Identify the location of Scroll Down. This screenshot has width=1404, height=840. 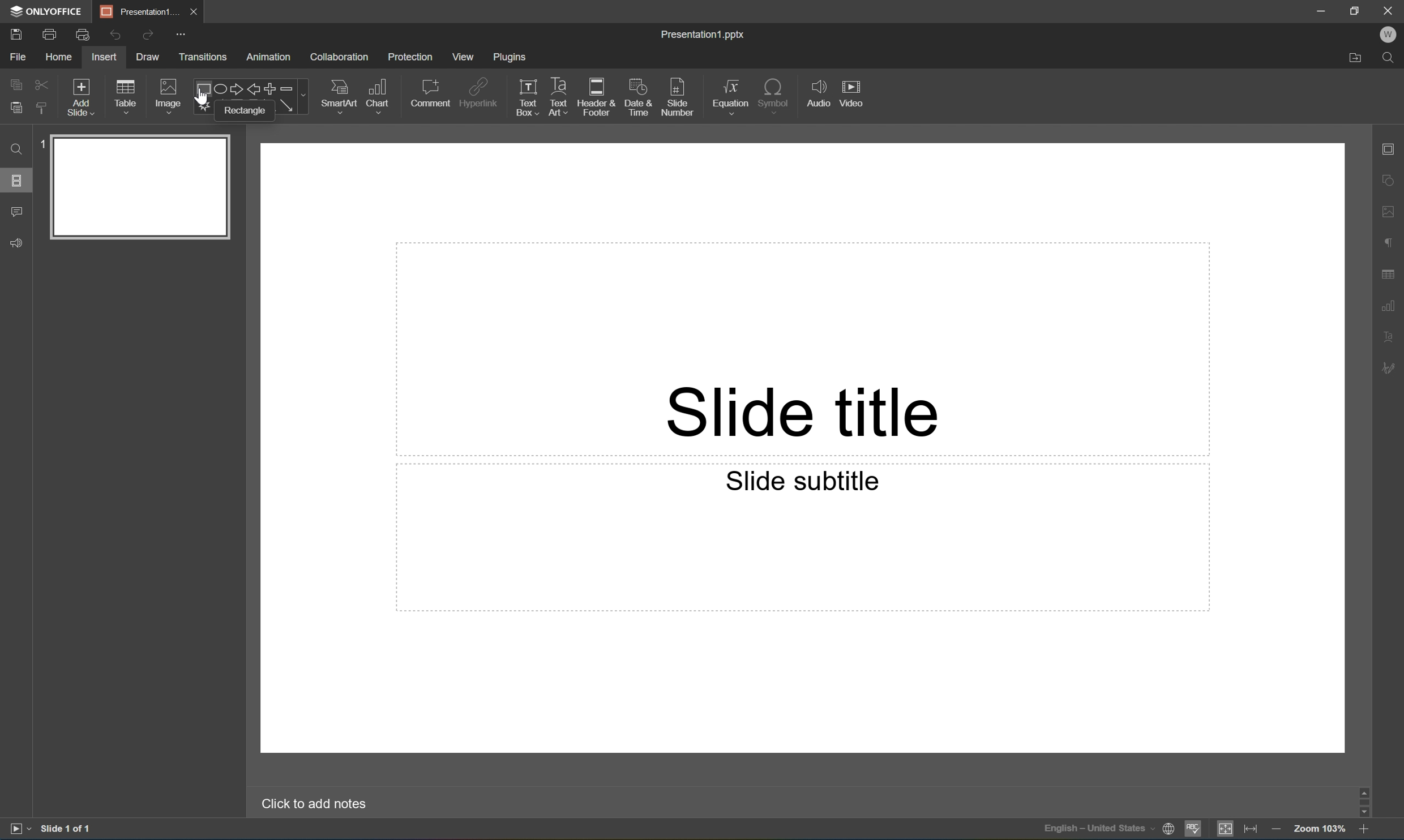
(1364, 812).